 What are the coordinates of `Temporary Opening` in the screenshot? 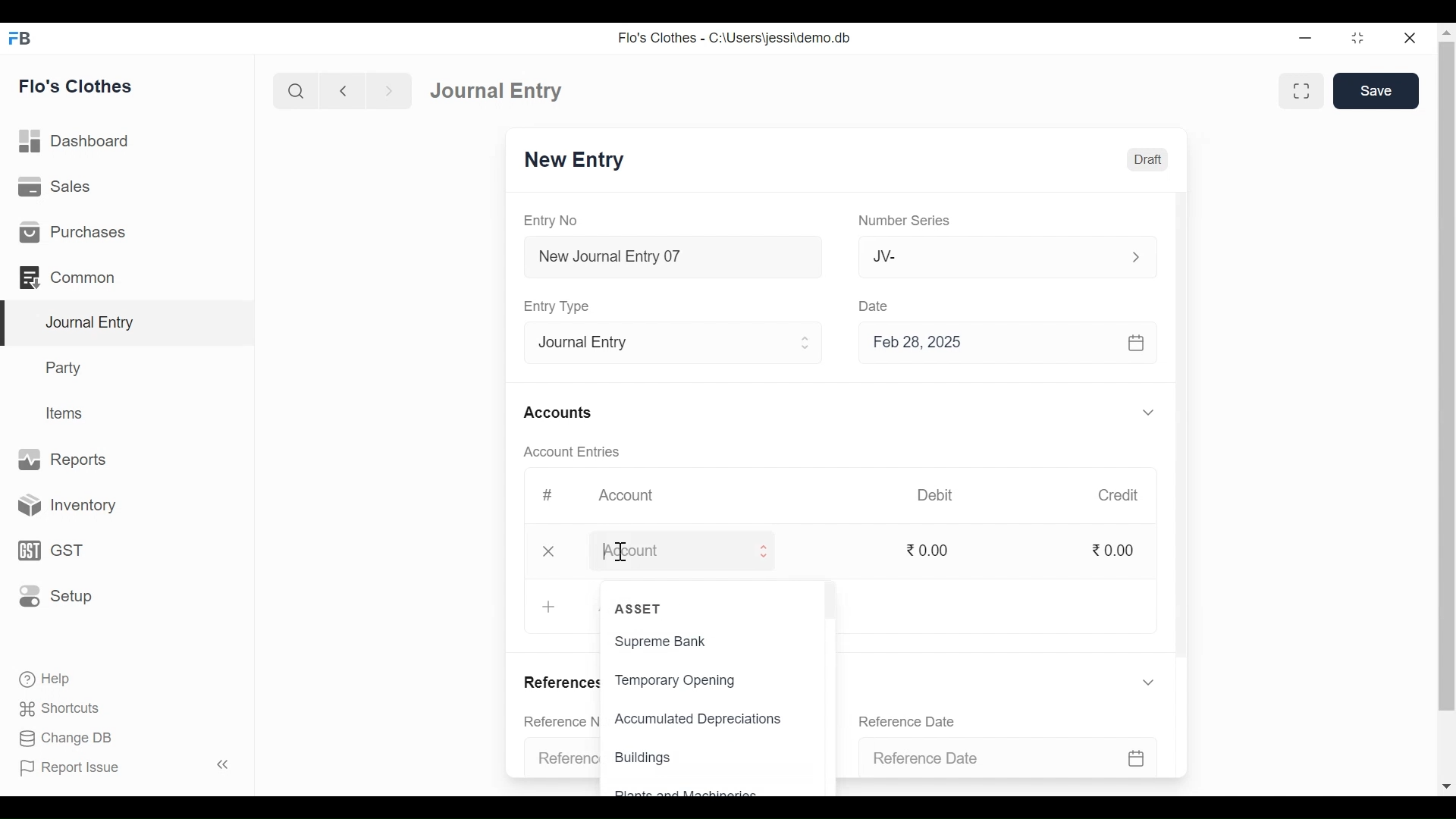 It's located at (679, 680).